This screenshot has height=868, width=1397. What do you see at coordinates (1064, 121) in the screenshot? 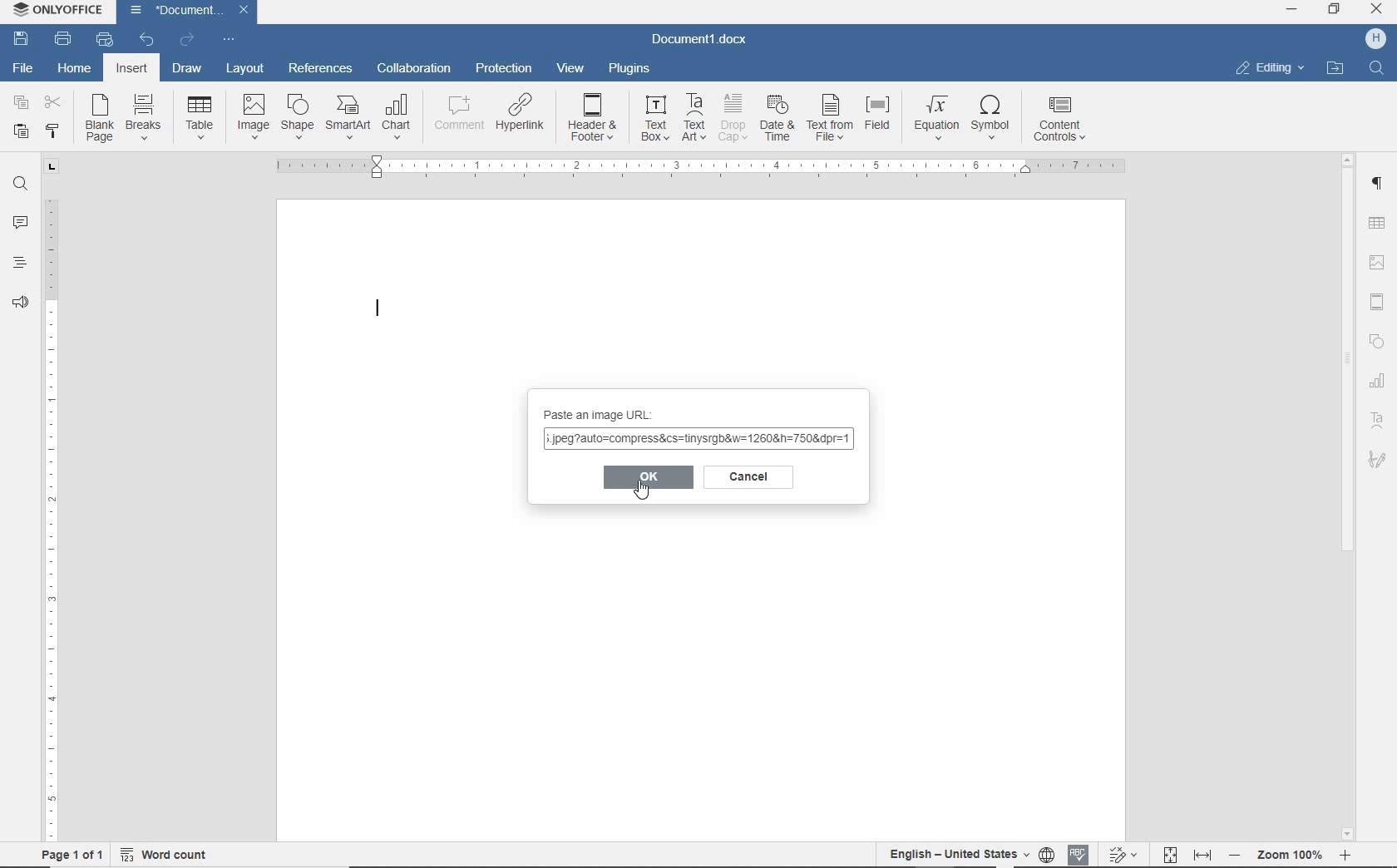
I see `content controls` at bounding box center [1064, 121].